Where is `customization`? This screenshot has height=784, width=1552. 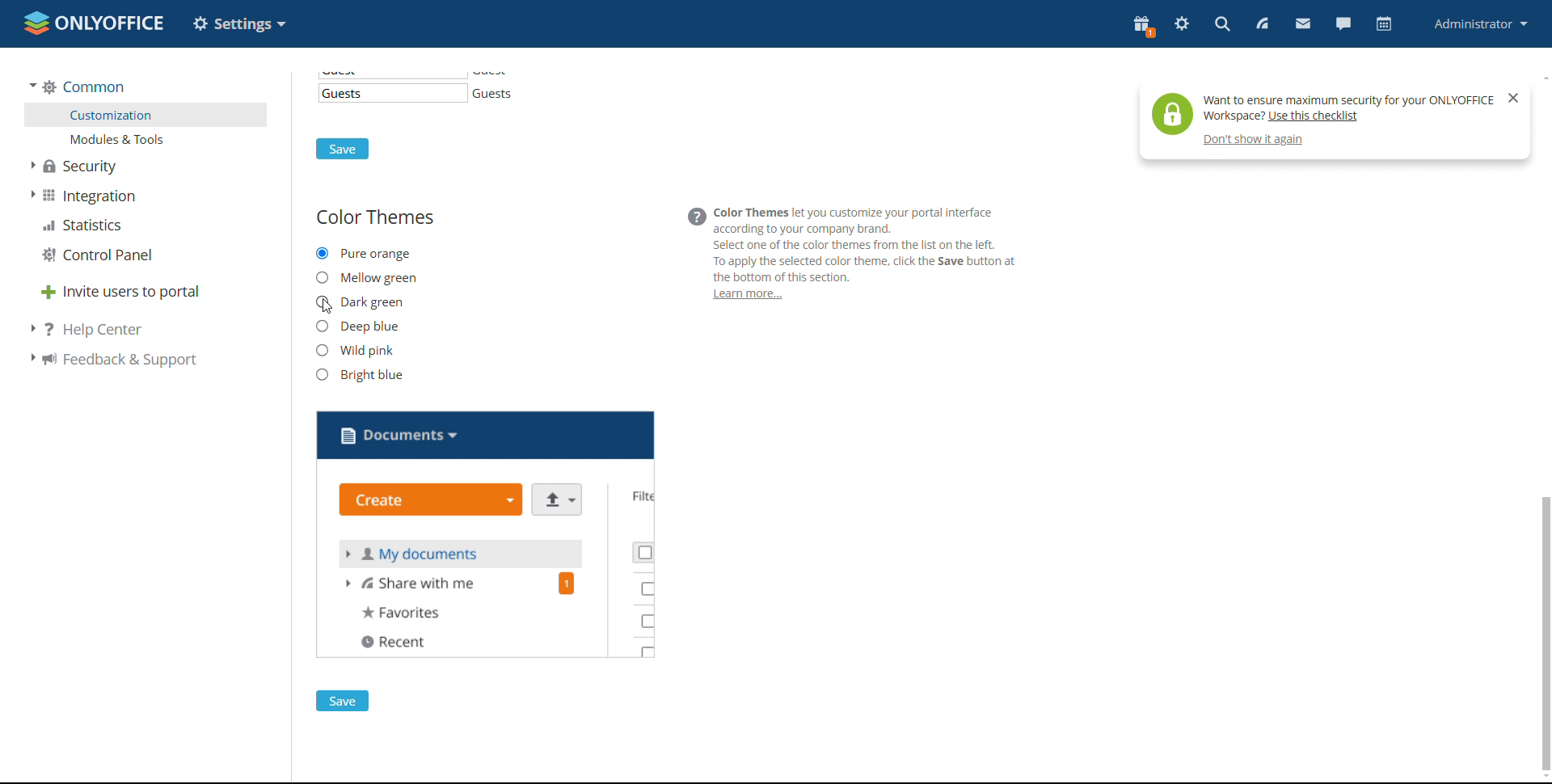 customization is located at coordinates (147, 115).